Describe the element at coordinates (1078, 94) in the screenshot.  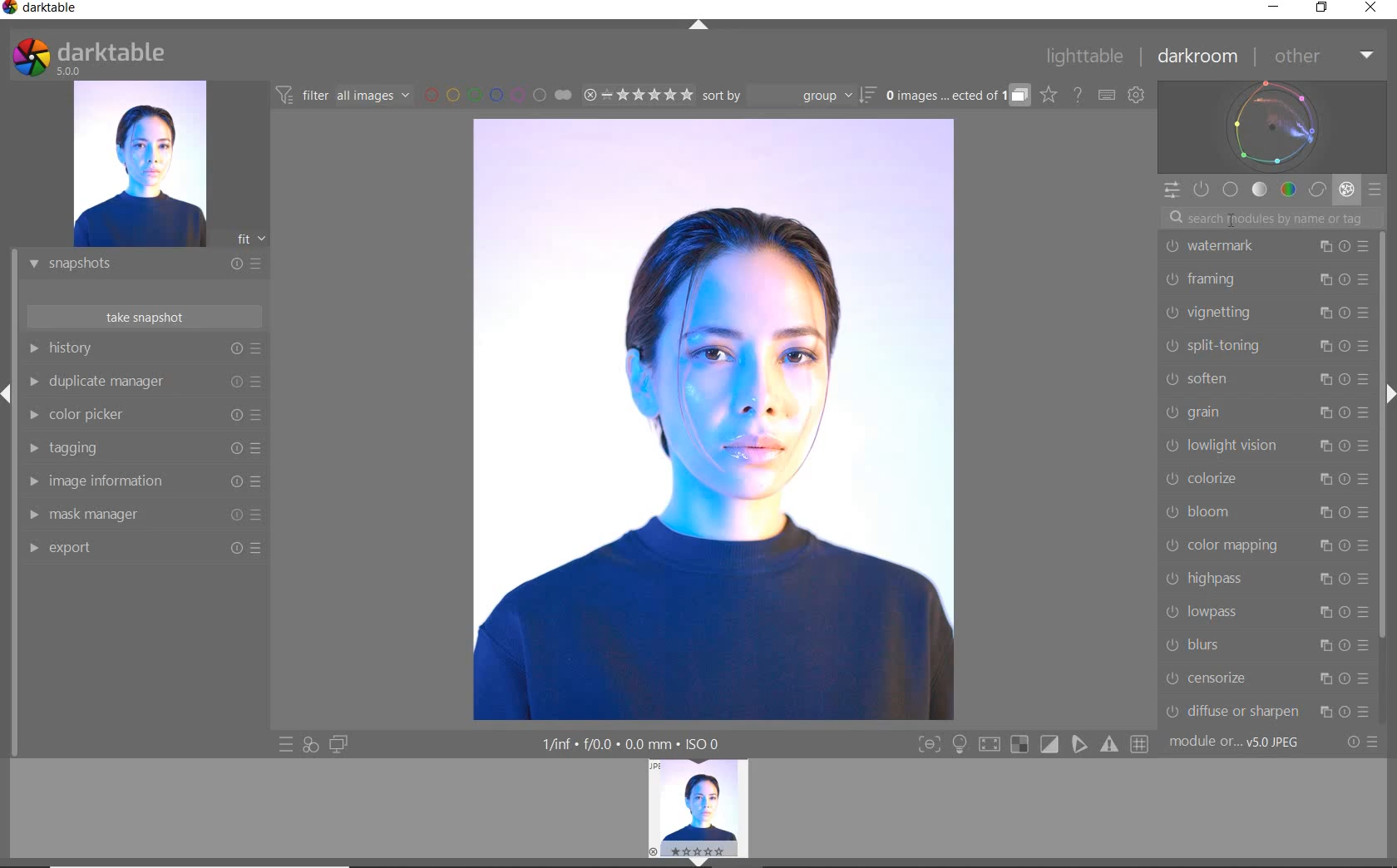
I see `HELP ONLINE` at that location.